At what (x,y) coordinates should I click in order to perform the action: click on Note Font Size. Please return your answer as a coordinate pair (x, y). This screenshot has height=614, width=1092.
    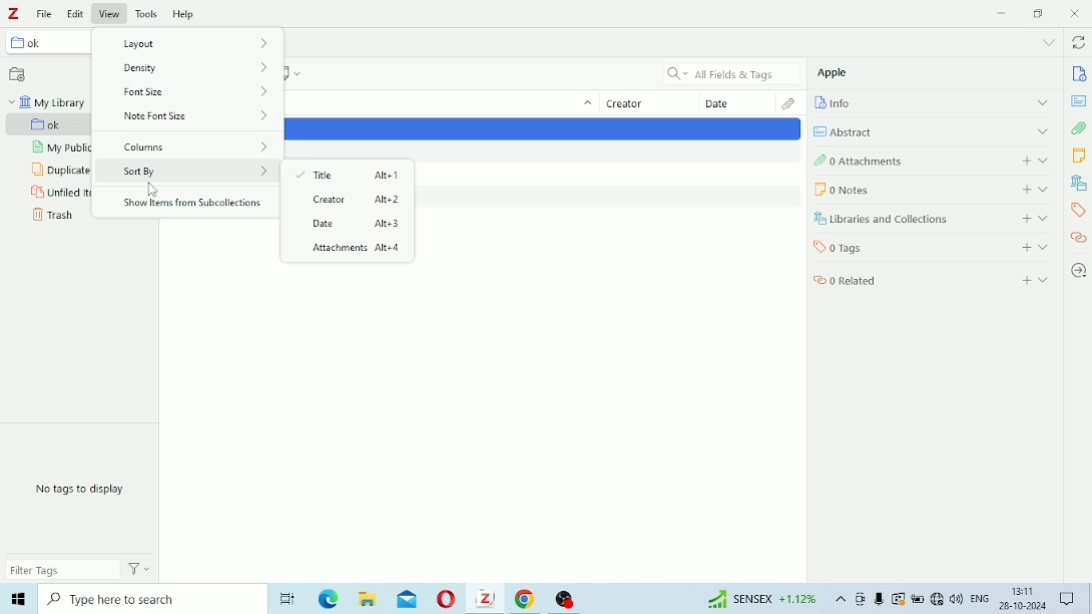
    Looking at the image, I should click on (197, 118).